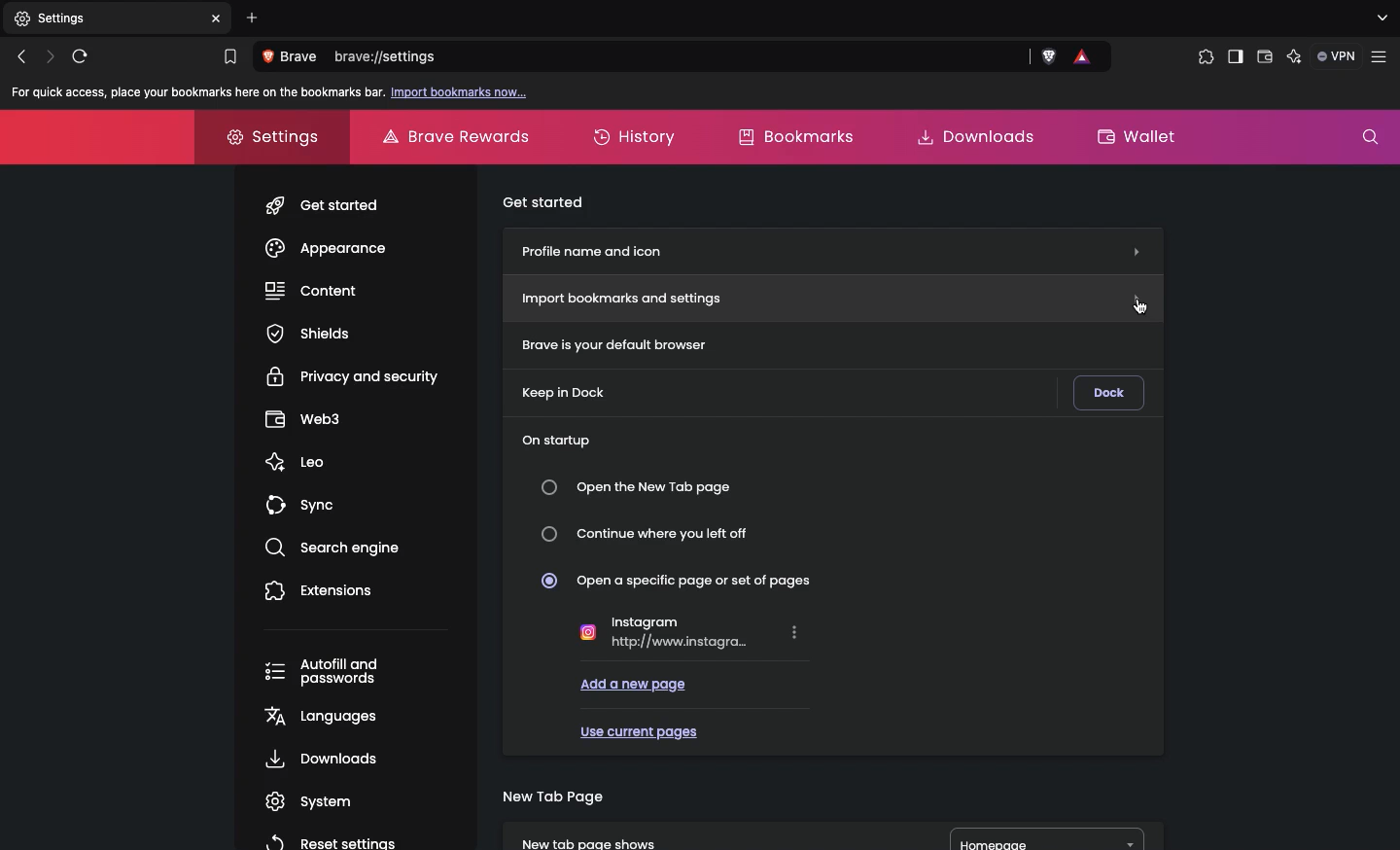  Describe the element at coordinates (793, 135) in the screenshot. I see `Bookmarks` at that location.